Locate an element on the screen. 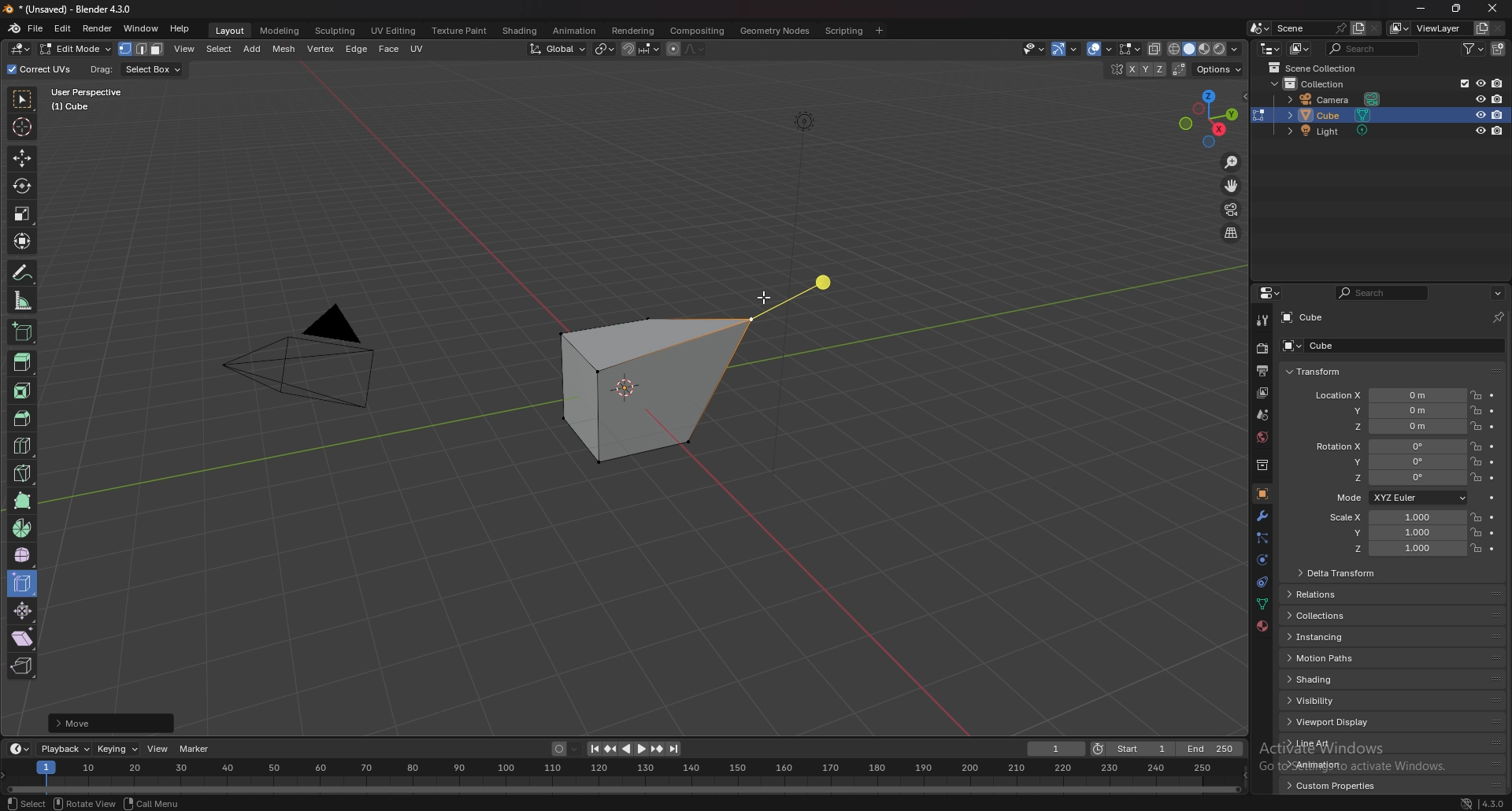  cursor is located at coordinates (22, 127).